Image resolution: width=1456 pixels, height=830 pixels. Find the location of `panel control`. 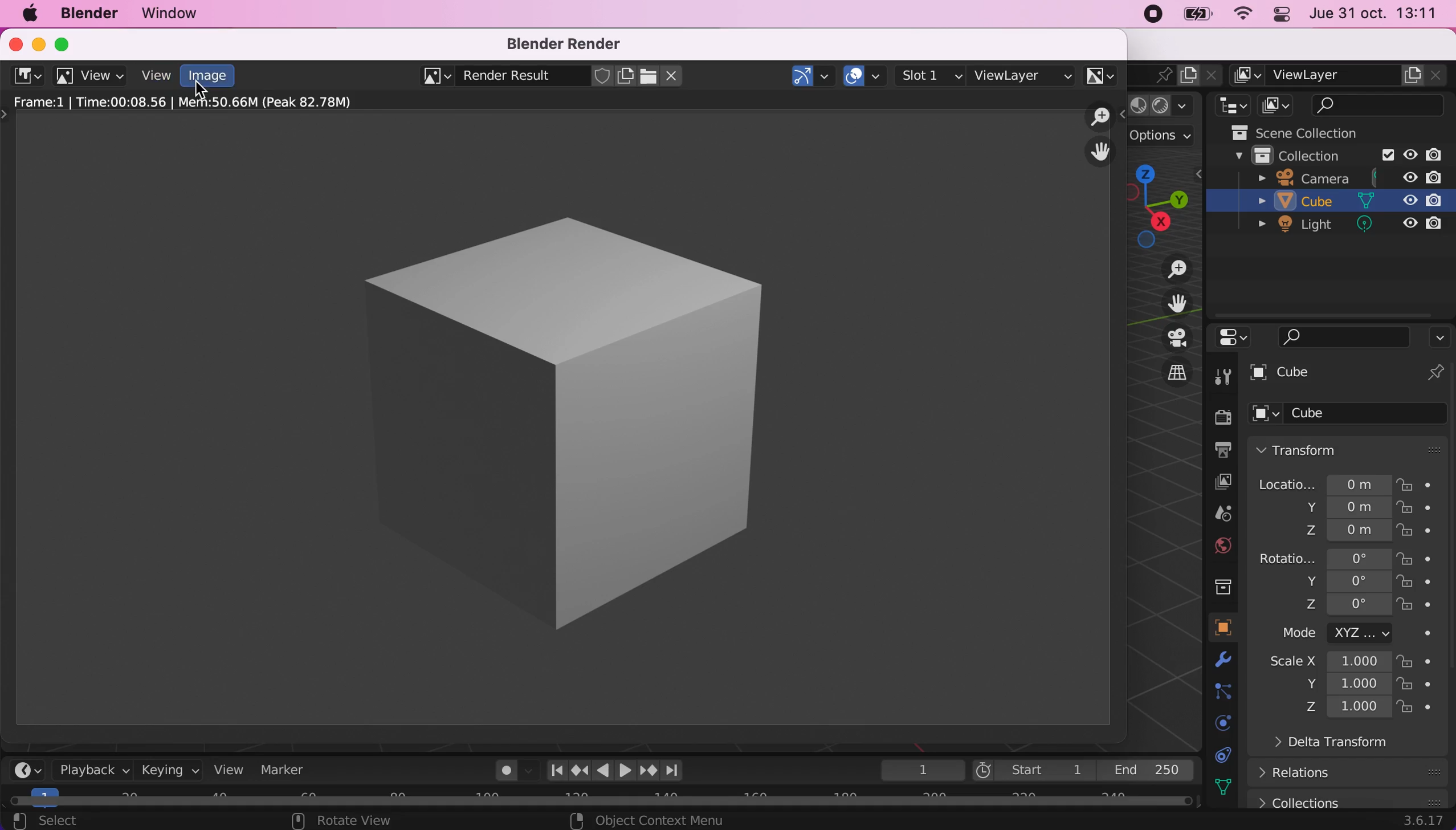

panel control is located at coordinates (1284, 14).